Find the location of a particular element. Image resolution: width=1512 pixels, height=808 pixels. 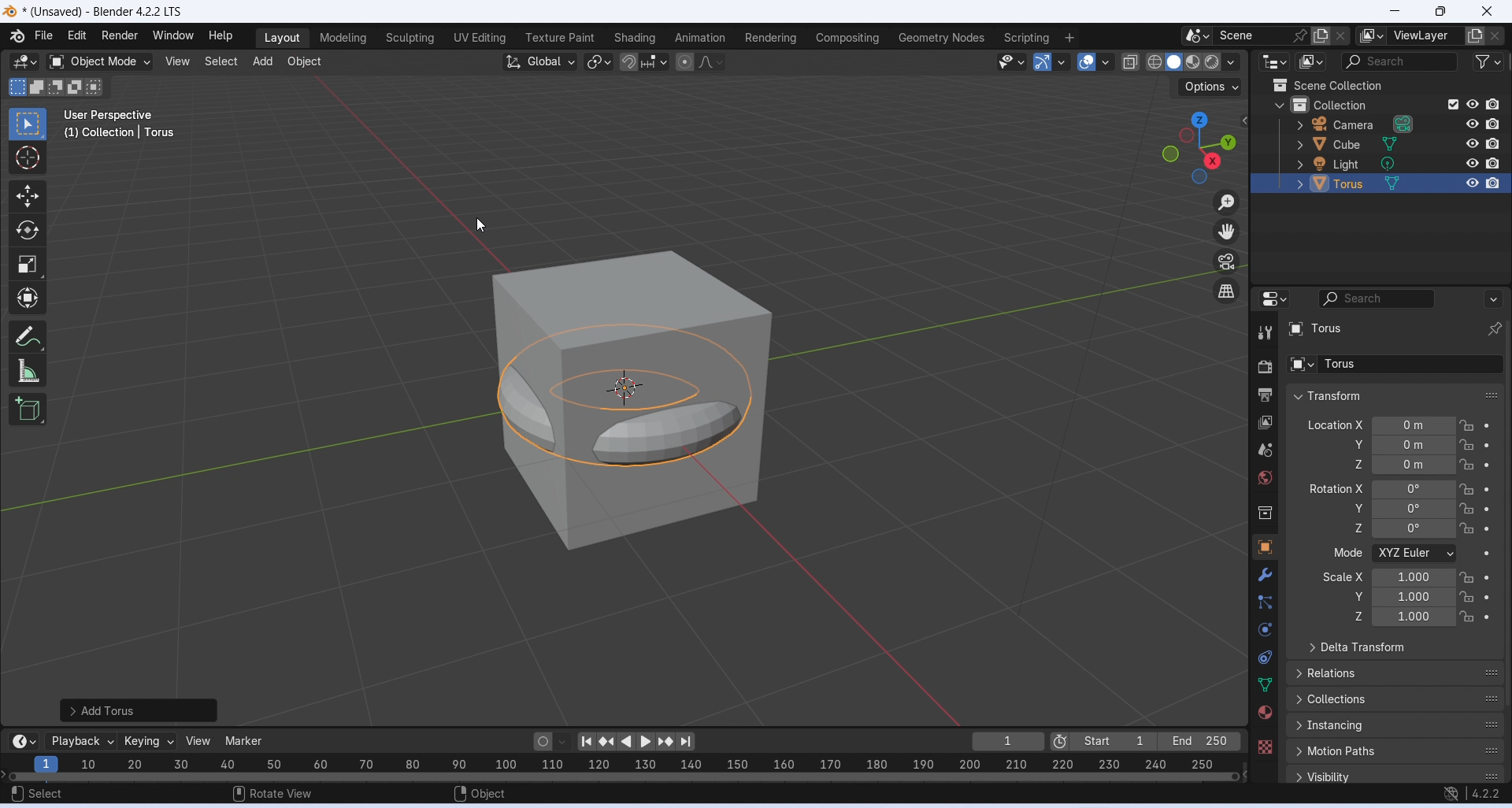

Switch the current view is located at coordinates (1228, 291).